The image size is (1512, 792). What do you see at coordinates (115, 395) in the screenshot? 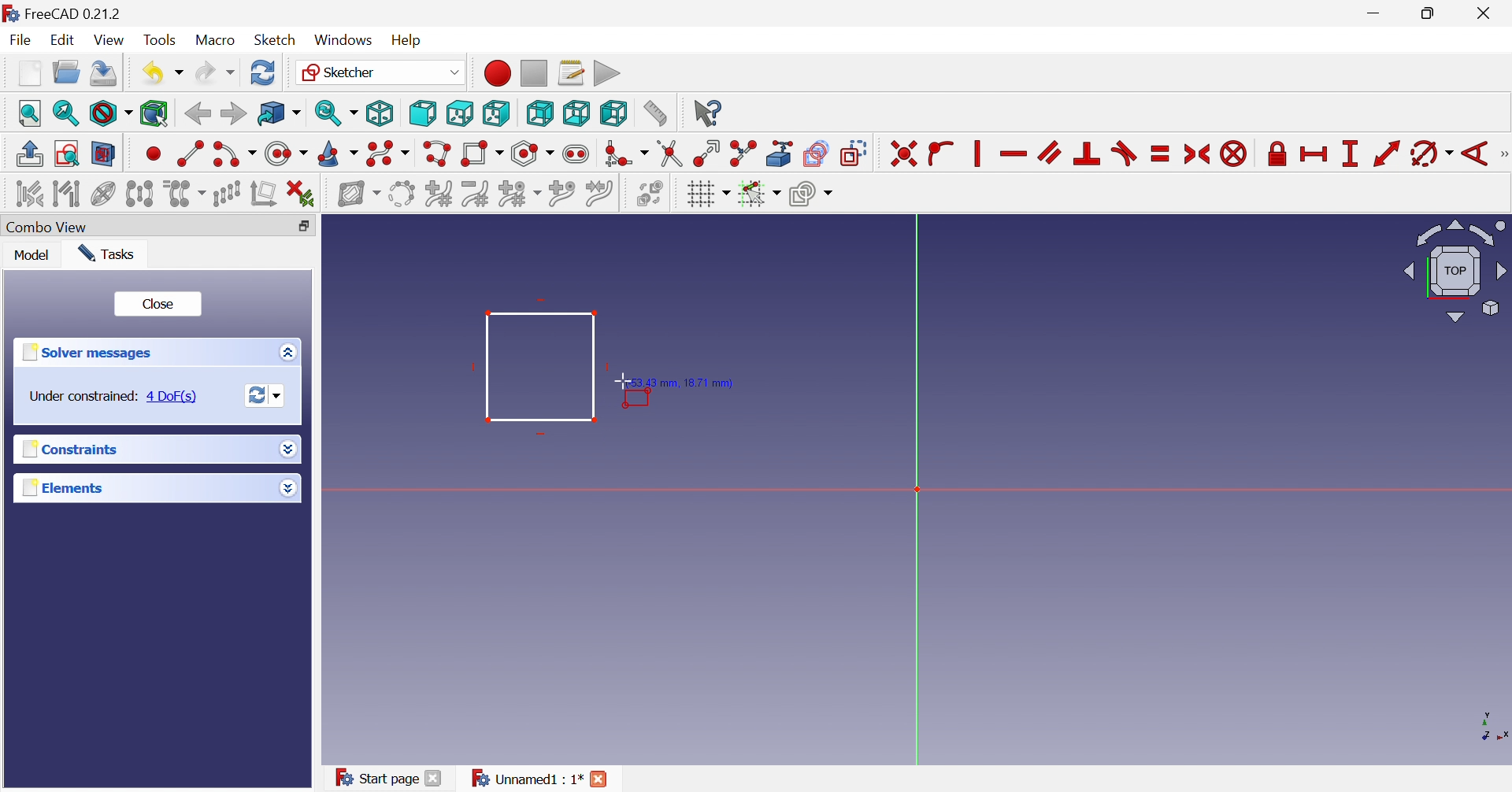
I see `Under constrained: 4Dof(s)` at bounding box center [115, 395].